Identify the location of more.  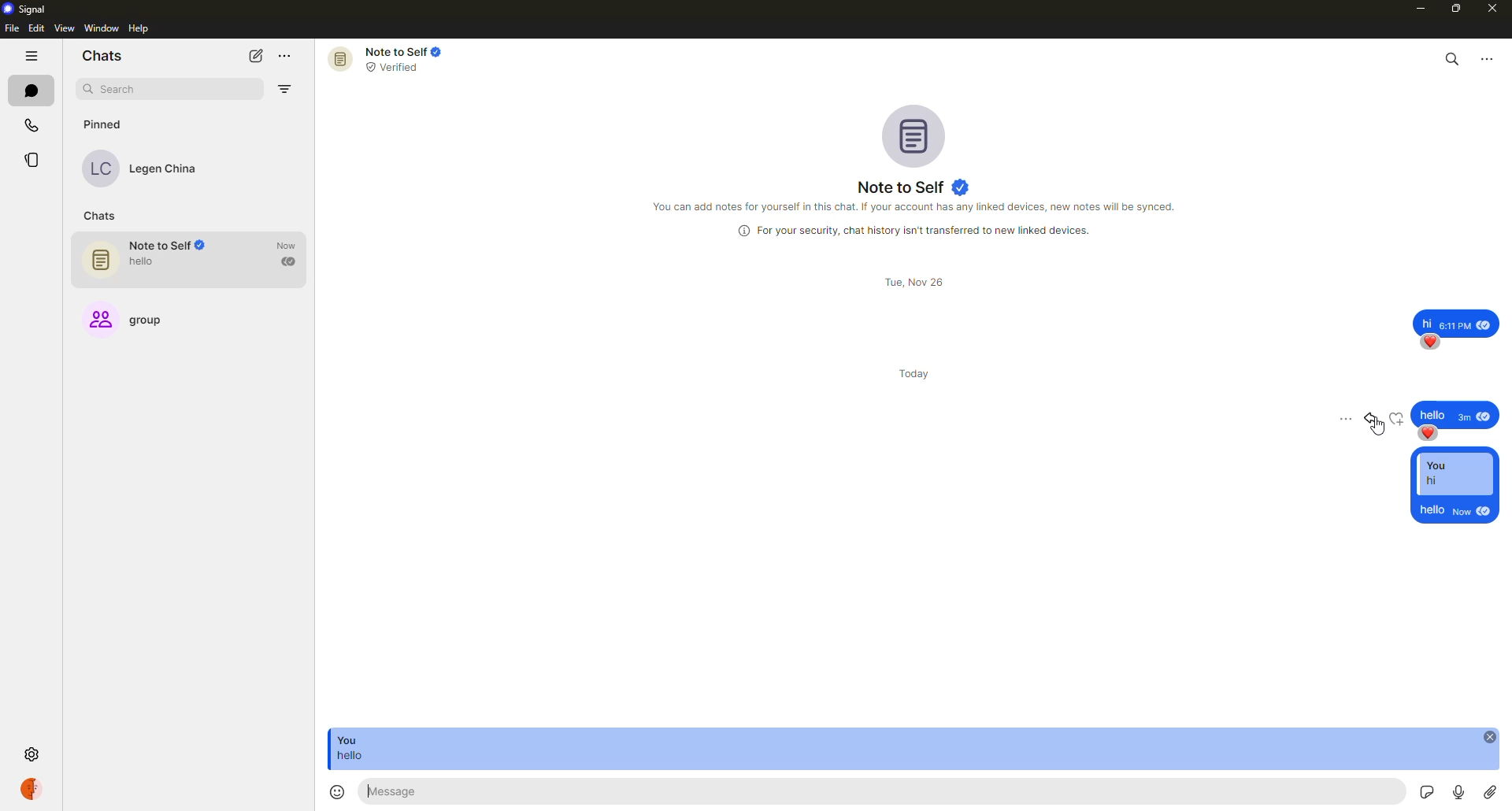
(1349, 422).